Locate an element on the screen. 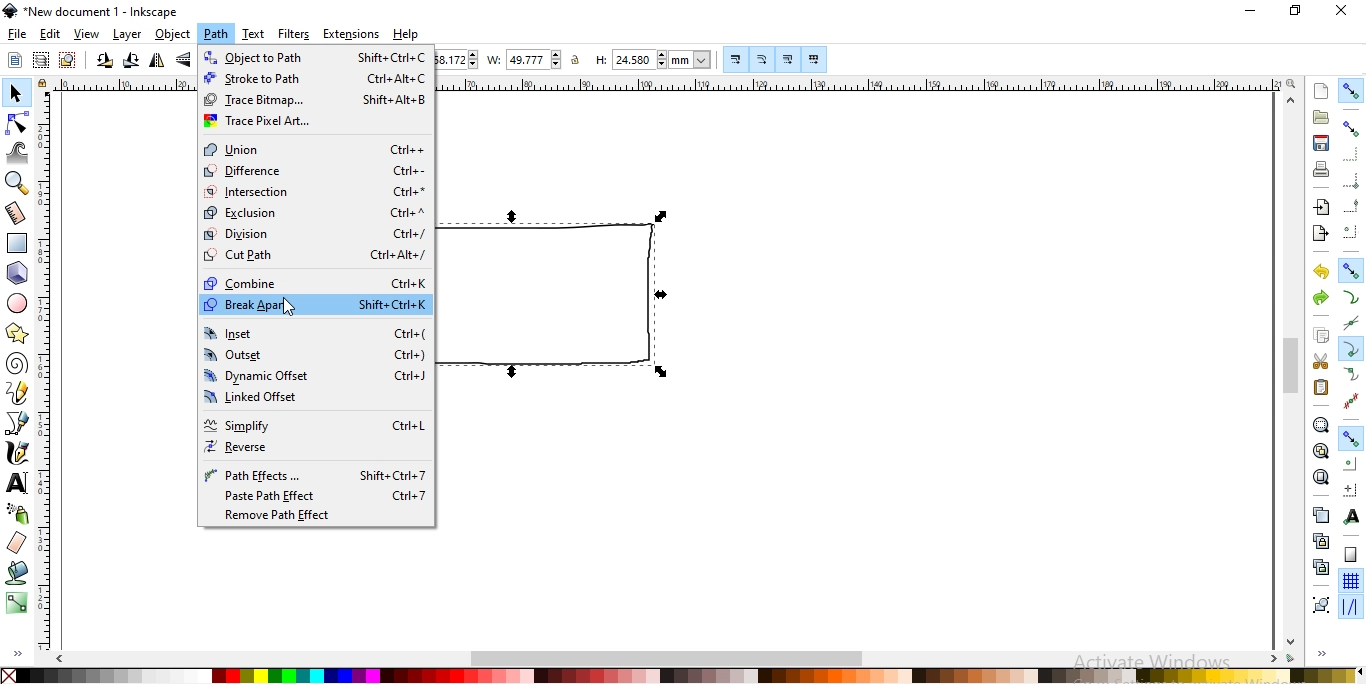  move patterns is located at coordinates (817, 59).